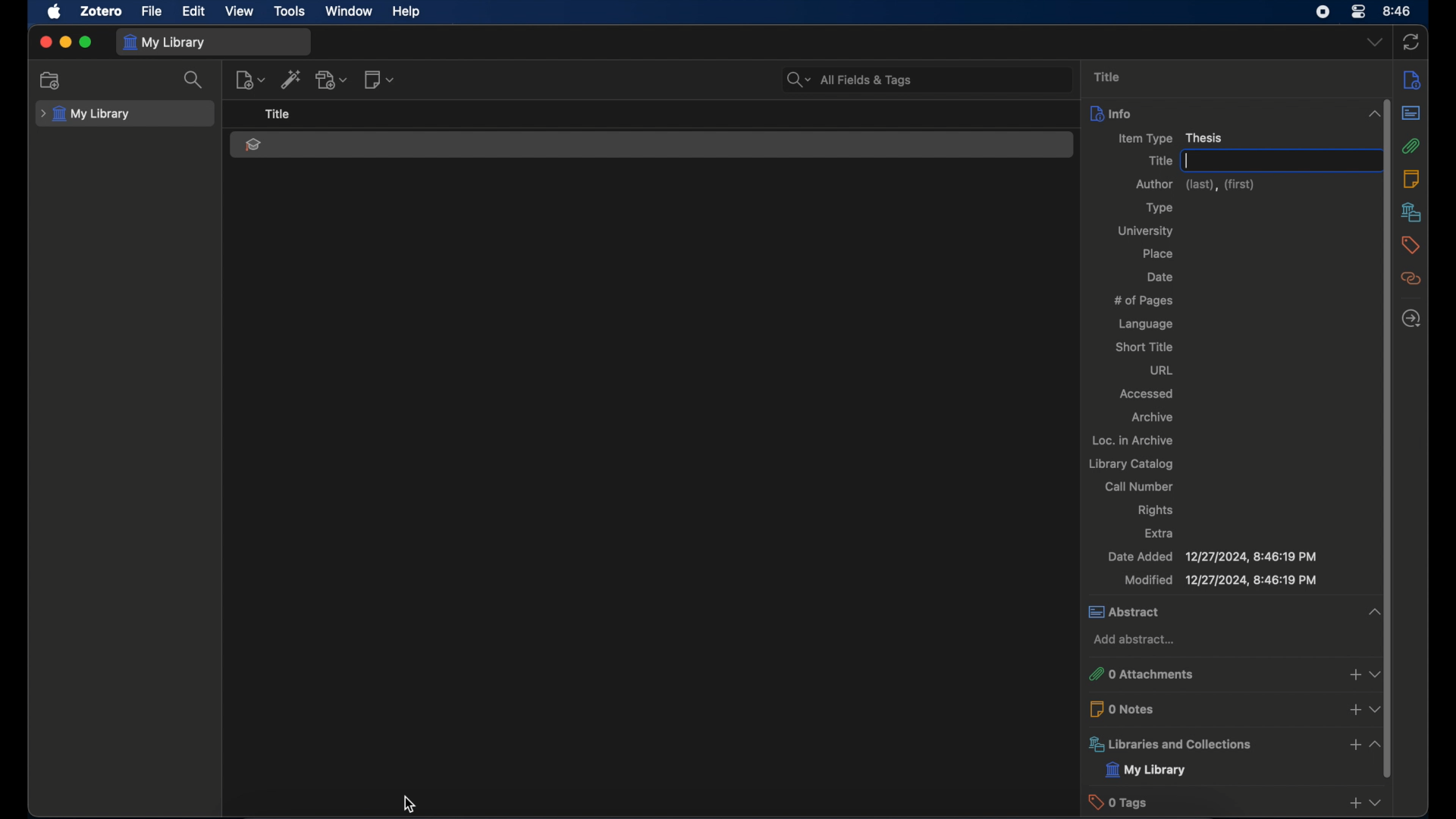 The width and height of the screenshot is (1456, 819). What do you see at coordinates (946, 79) in the screenshot?
I see `search bar input` at bounding box center [946, 79].